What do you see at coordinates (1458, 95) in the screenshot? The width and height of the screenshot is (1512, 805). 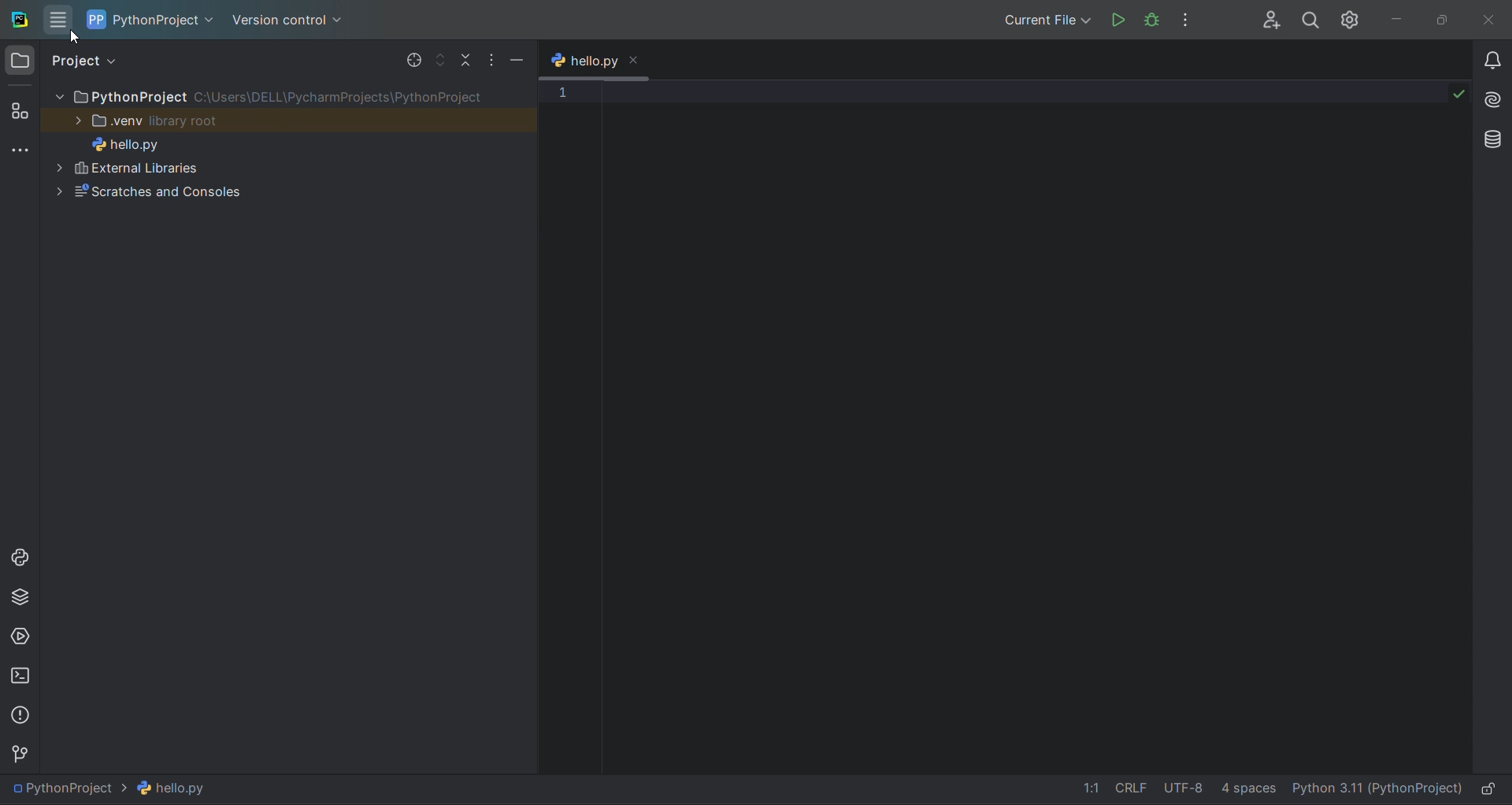 I see `check` at bounding box center [1458, 95].